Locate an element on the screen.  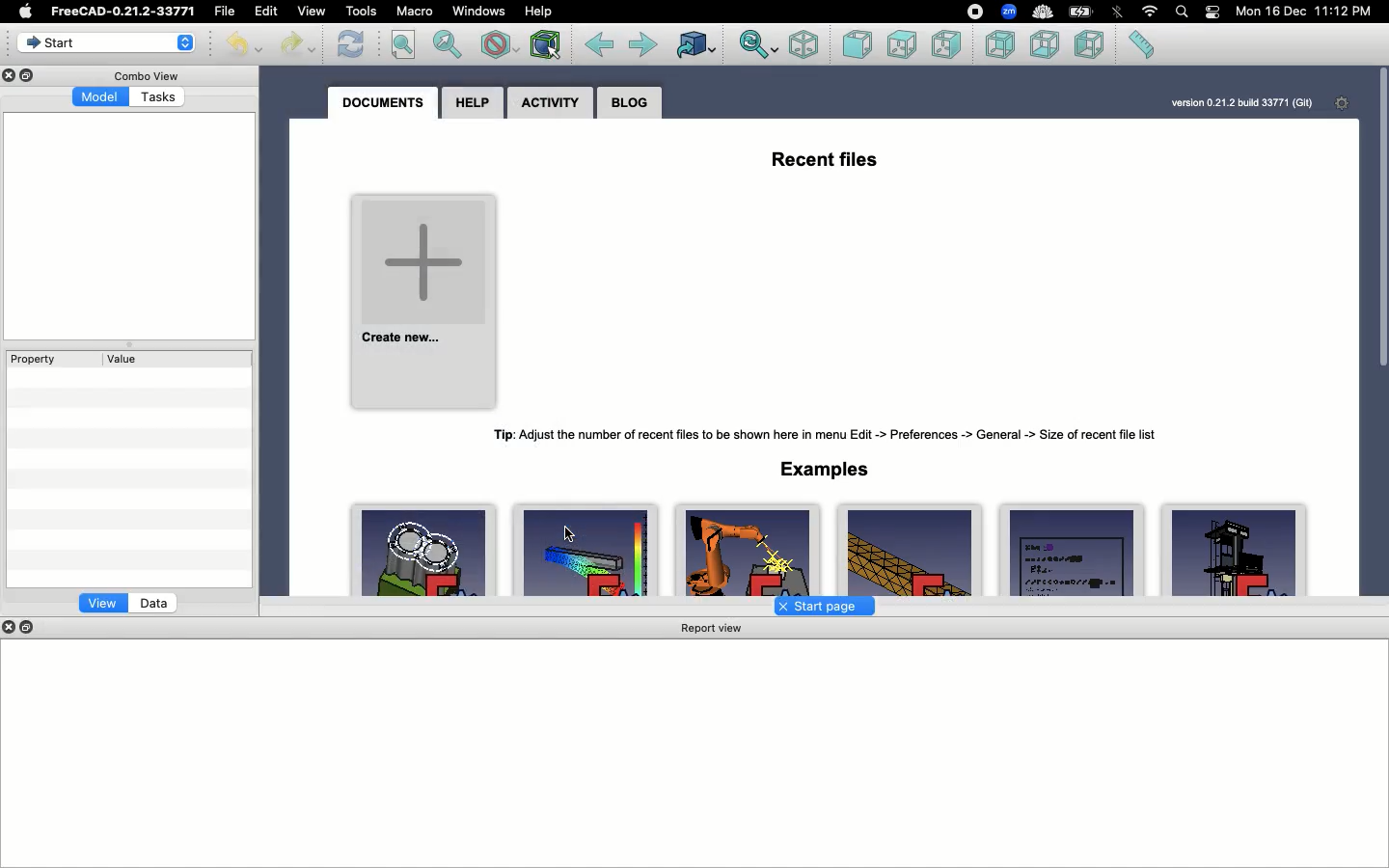
Duplicate is located at coordinates (30, 74).